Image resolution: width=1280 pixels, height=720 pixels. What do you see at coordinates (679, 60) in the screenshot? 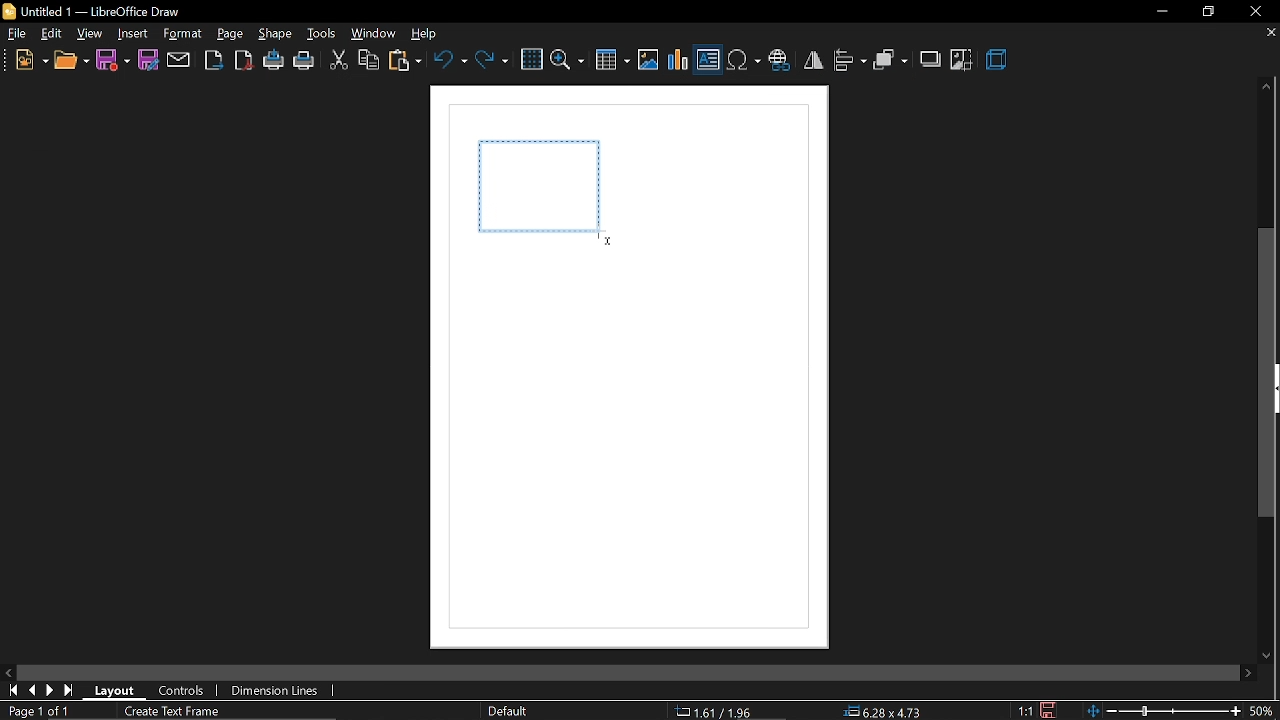
I see `insert chart` at bounding box center [679, 60].